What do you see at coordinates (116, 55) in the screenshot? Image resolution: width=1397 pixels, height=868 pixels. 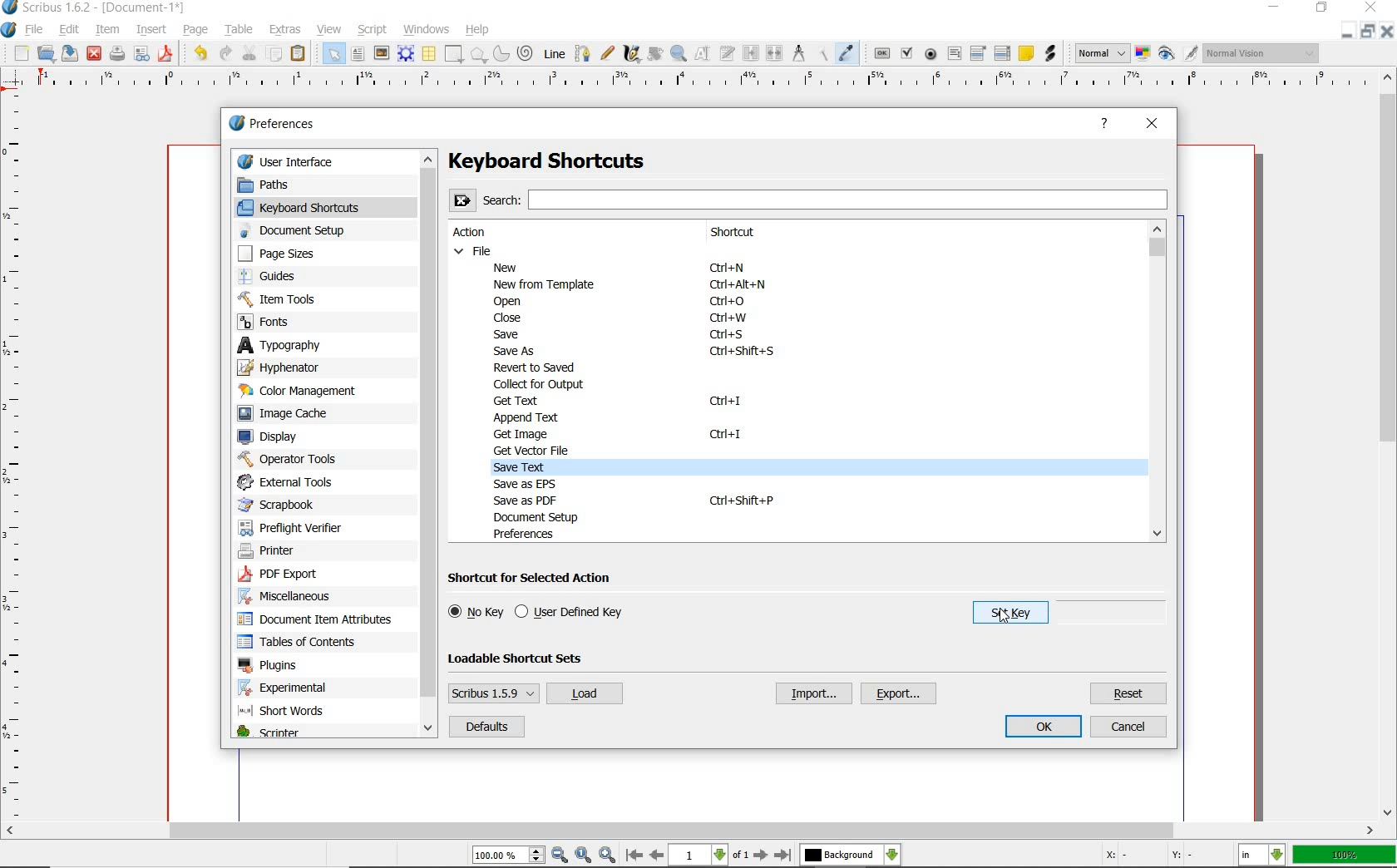 I see `preflight verifier` at bounding box center [116, 55].